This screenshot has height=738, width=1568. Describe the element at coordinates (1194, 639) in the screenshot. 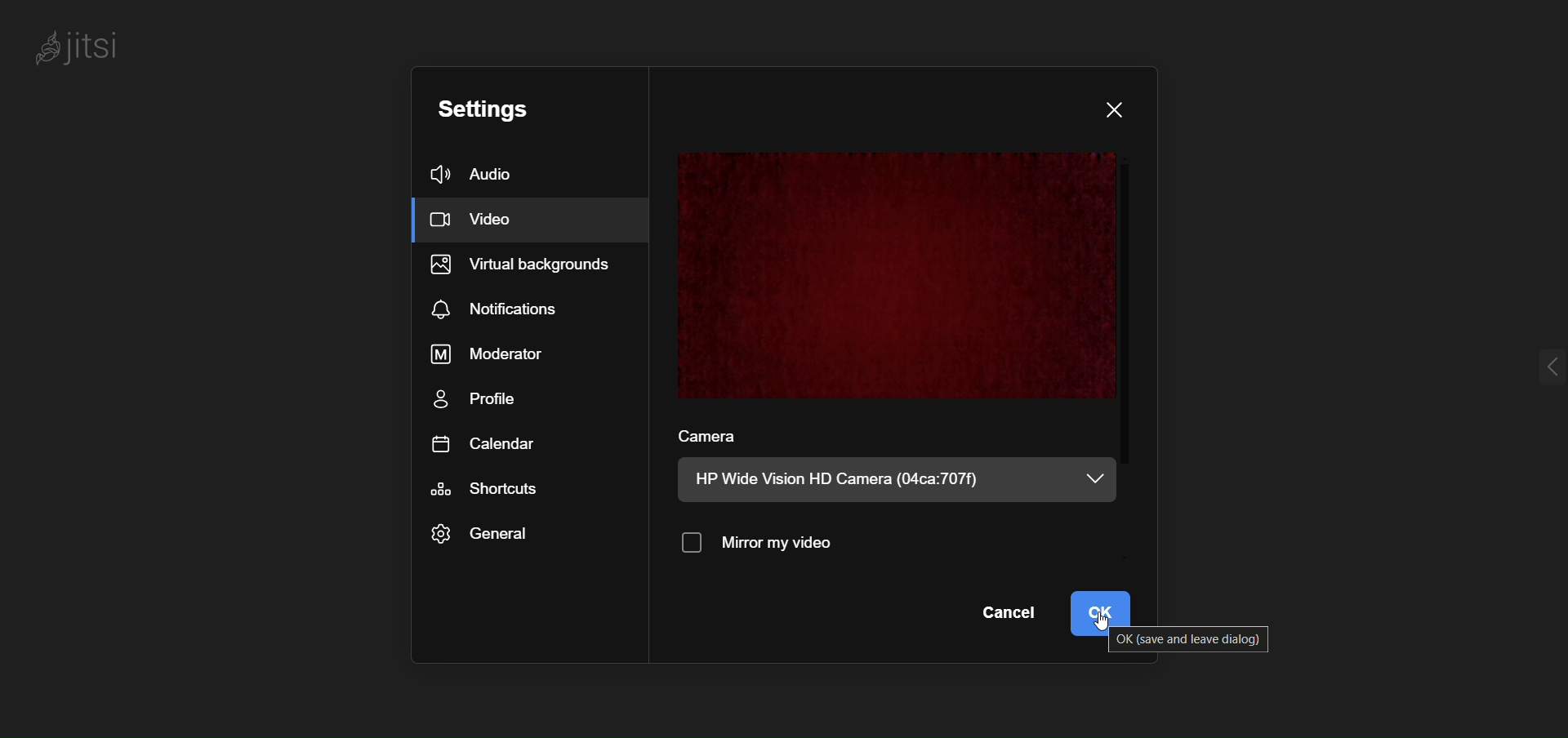

I see `ok (save and leave dialog)` at that location.